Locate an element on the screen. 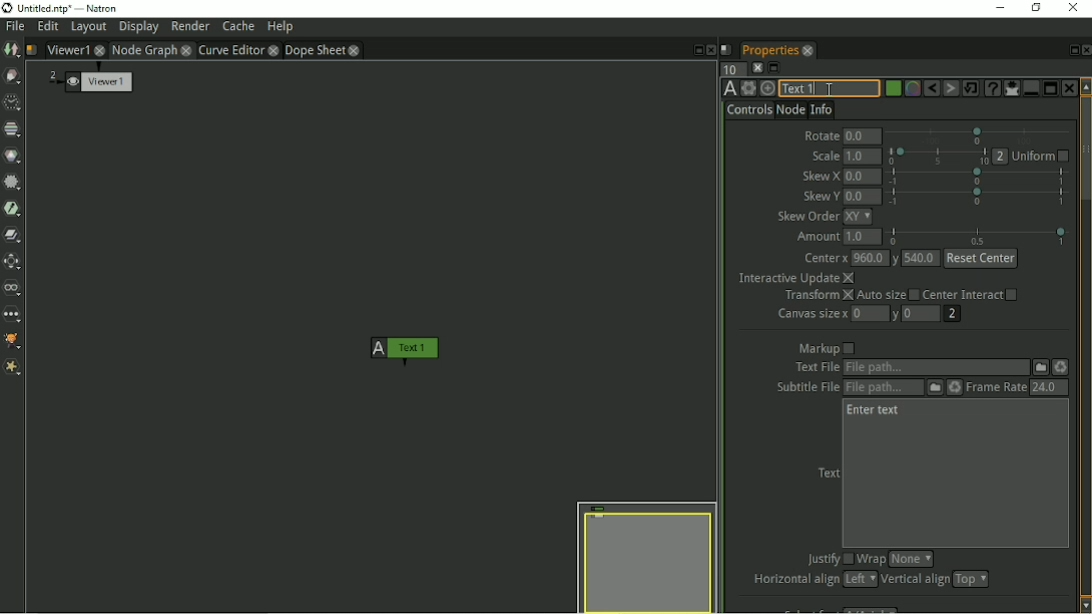  Time is located at coordinates (12, 103).